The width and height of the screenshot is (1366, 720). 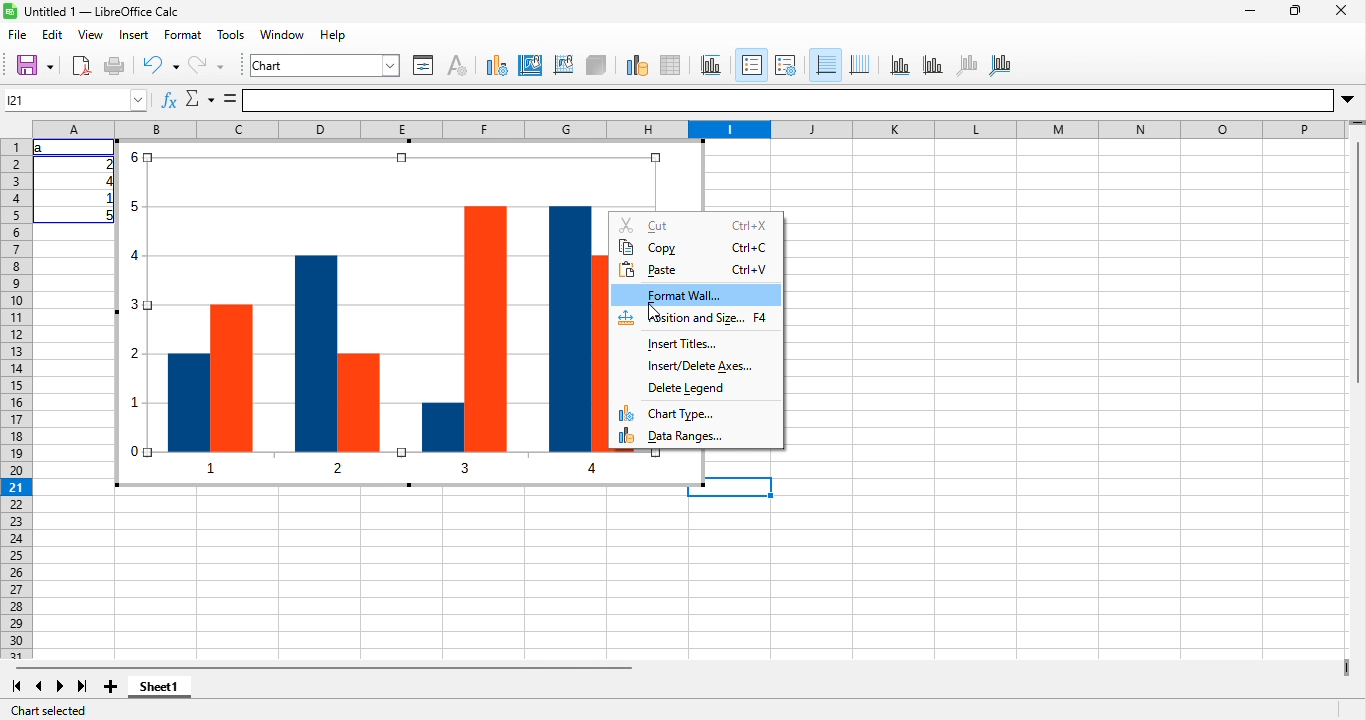 I want to click on chart wall, so click(x=564, y=67).